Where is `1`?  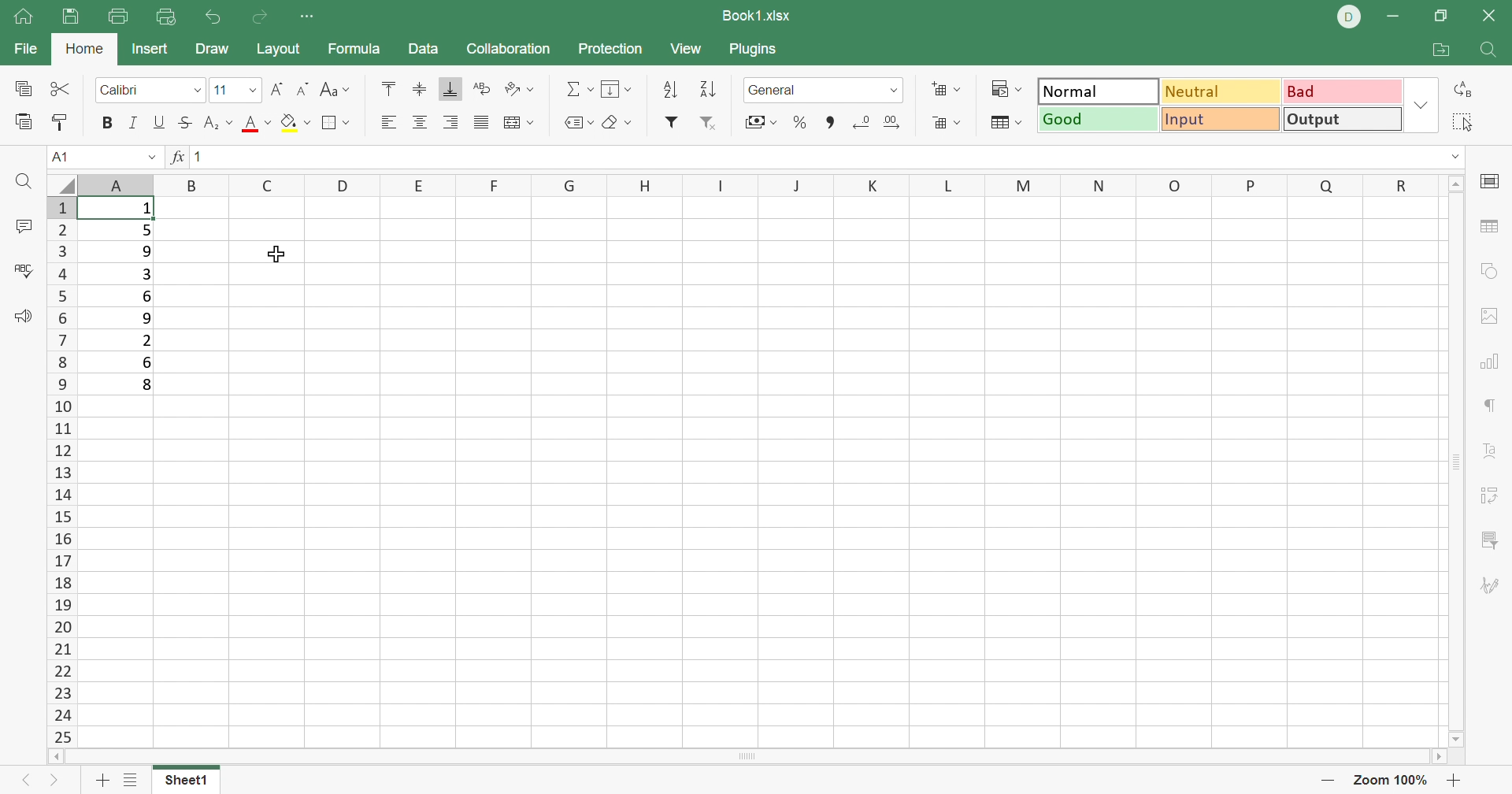
1 is located at coordinates (202, 155).